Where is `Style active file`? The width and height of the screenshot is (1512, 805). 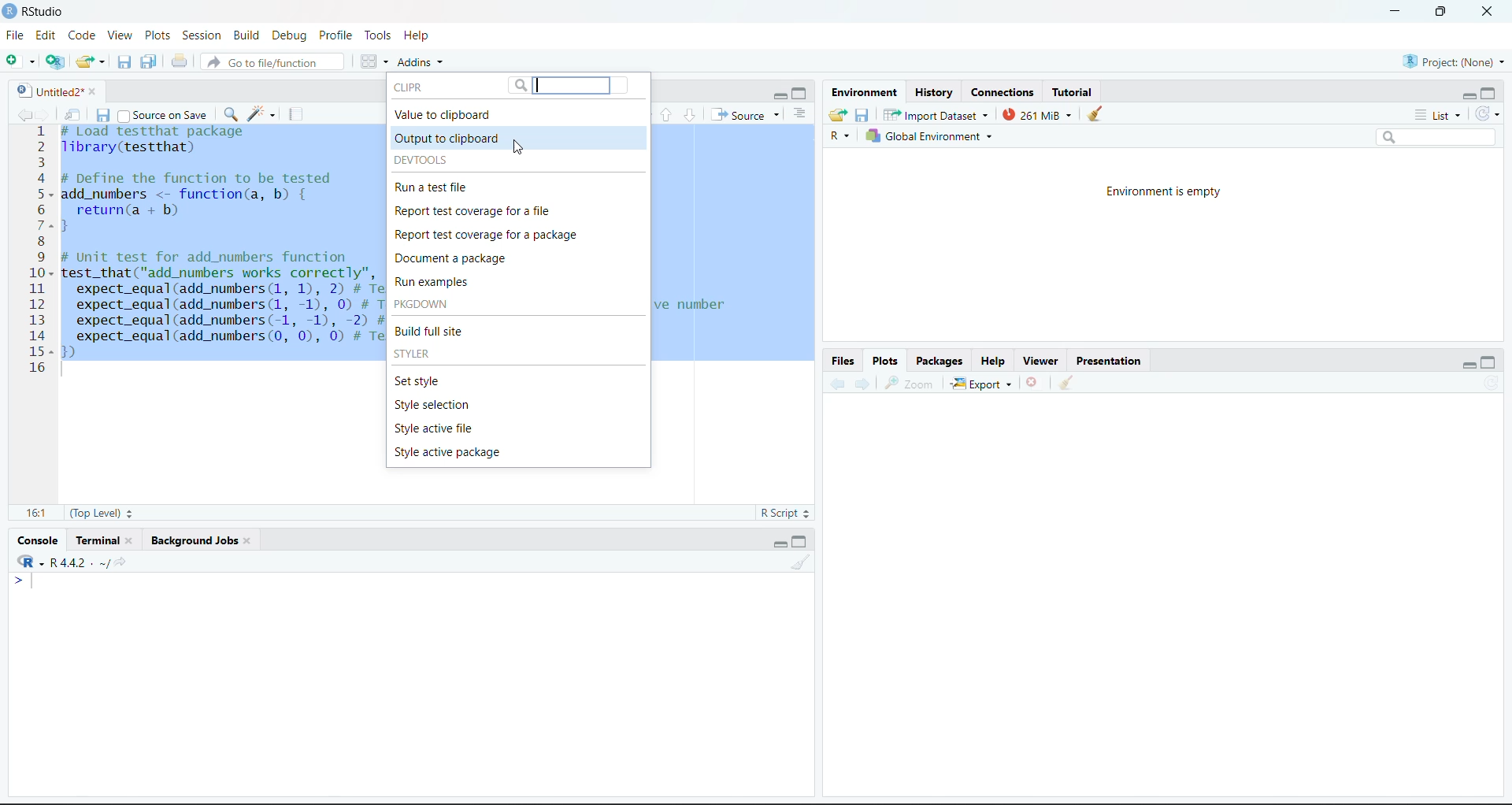 Style active file is located at coordinates (434, 428).